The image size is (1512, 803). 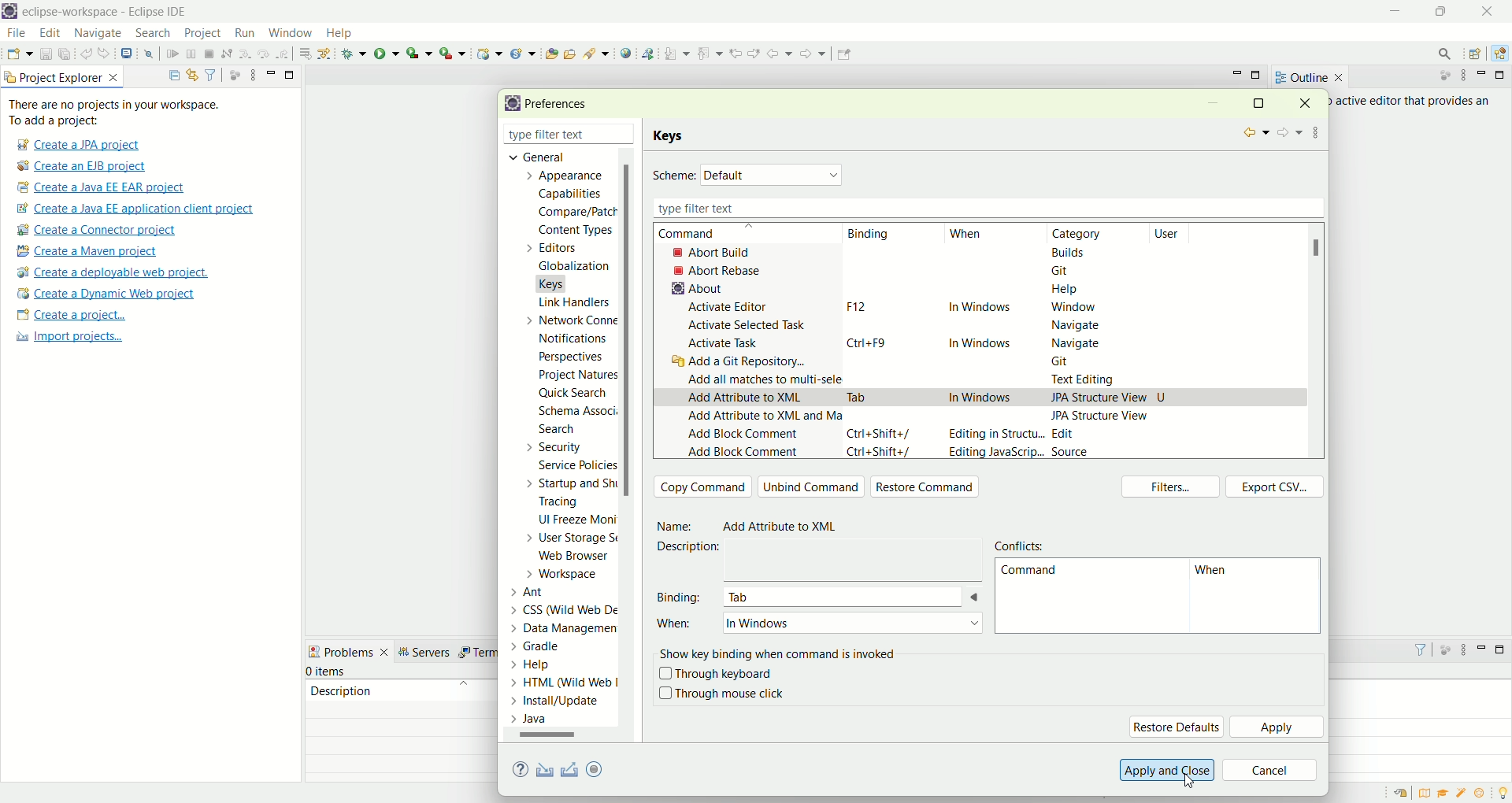 What do you see at coordinates (1462, 76) in the screenshot?
I see `view menu` at bounding box center [1462, 76].